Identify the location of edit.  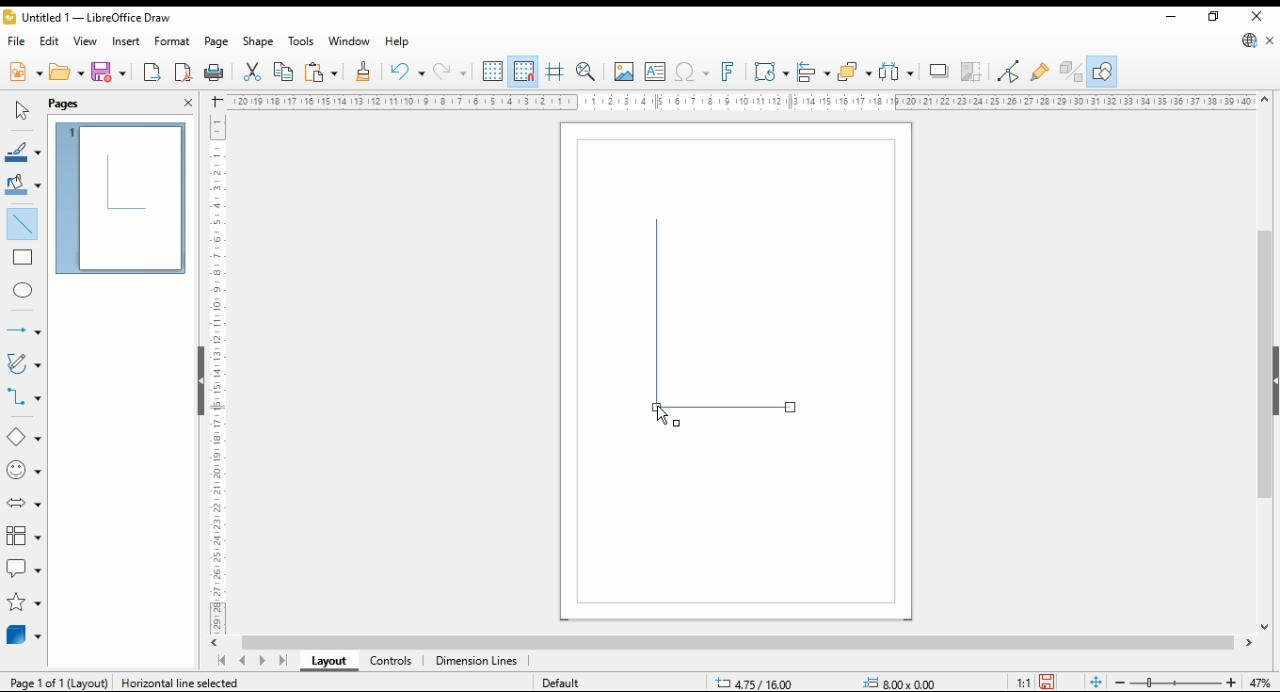
(52, 43).